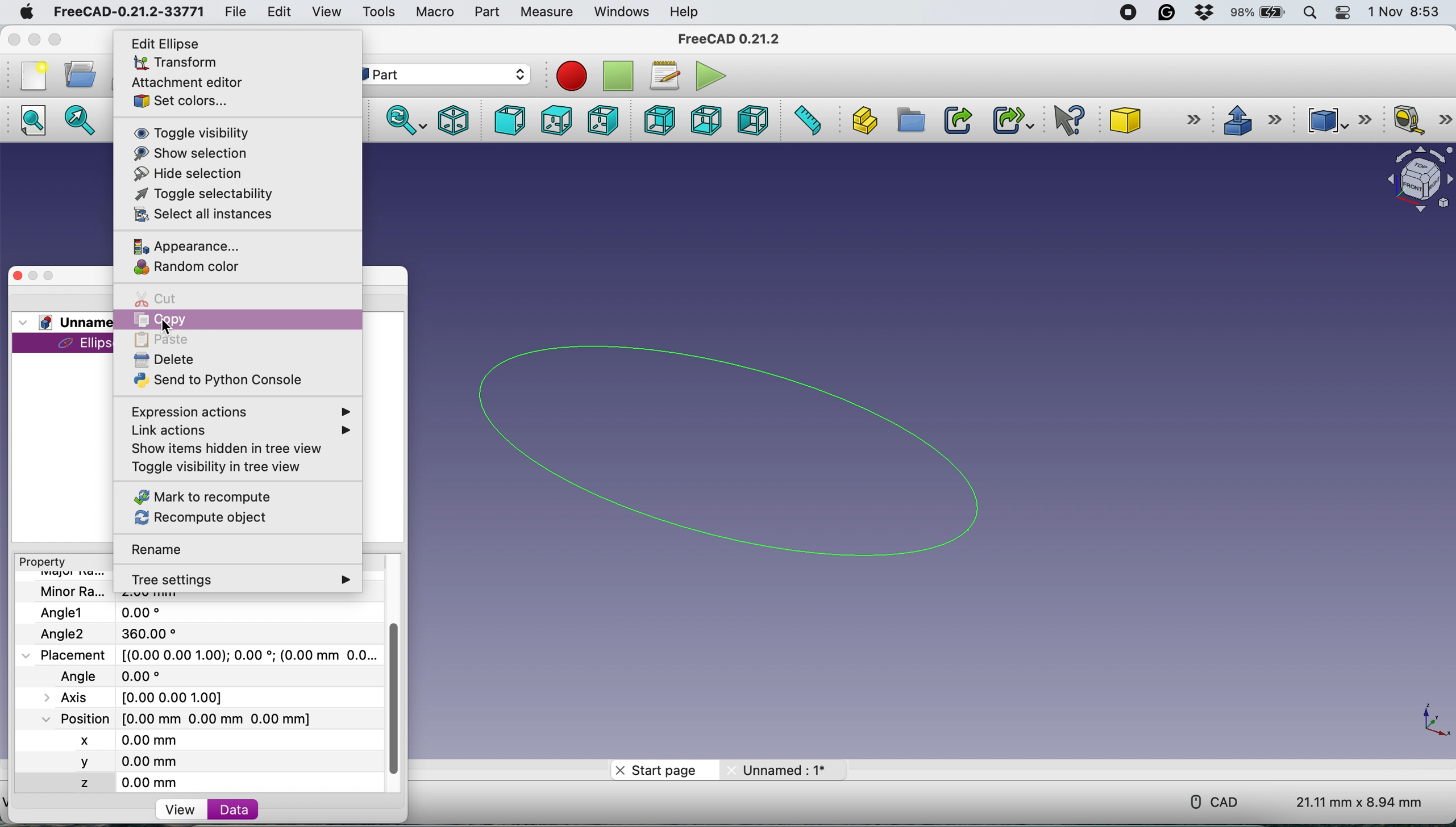 The width and height of the screenshot is (1456, 827). What do you see at coordinates (664, 74) in the screenshot?
I see `macros` at bounding box center [664, 74].